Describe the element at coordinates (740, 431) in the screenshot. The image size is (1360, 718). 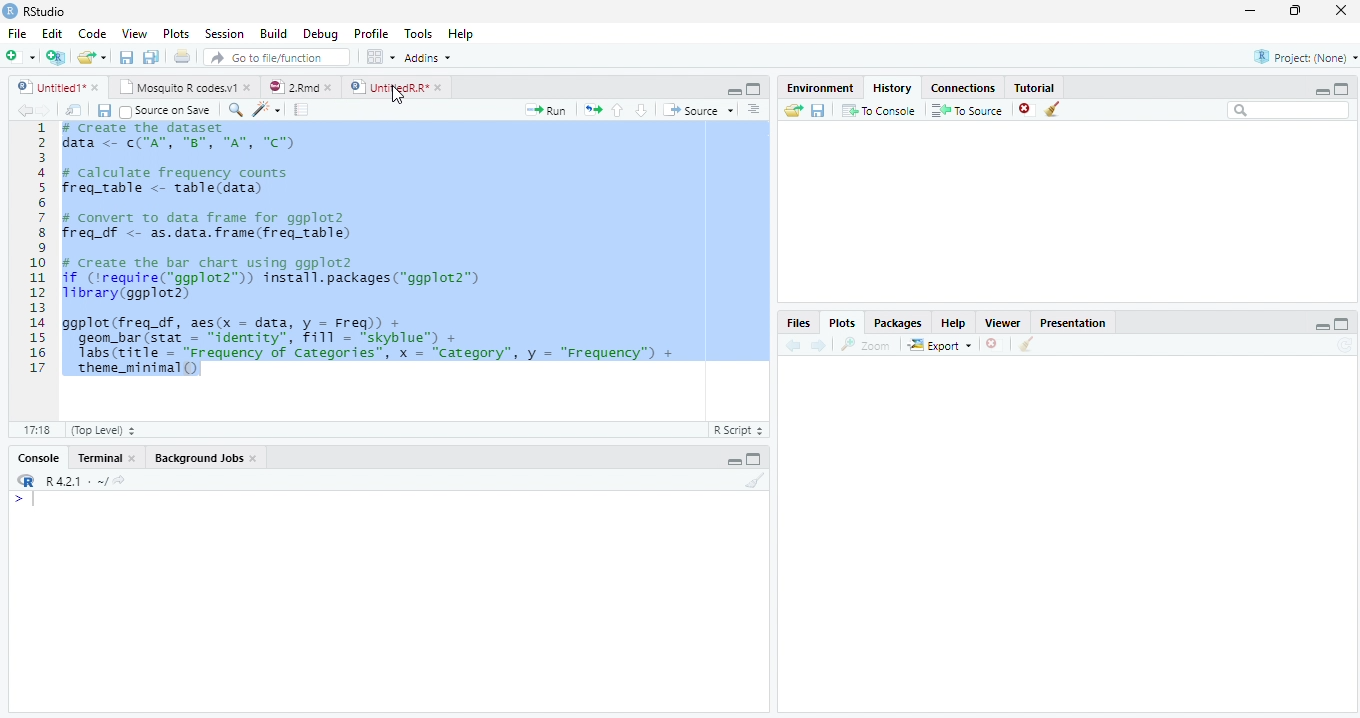
I see `R Script` at that location.